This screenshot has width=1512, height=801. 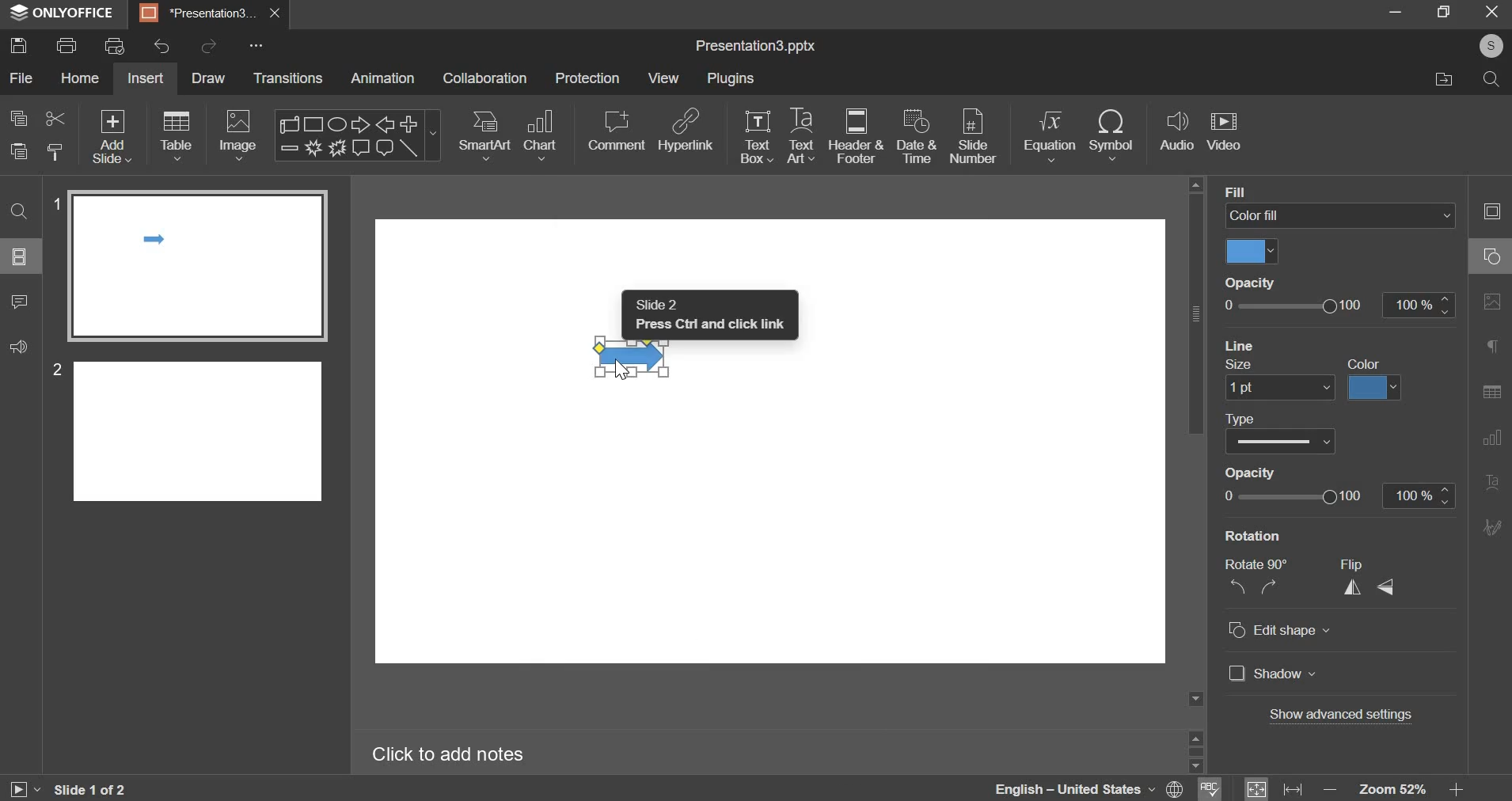 I want to click on line, so click(x=1240, y=344).